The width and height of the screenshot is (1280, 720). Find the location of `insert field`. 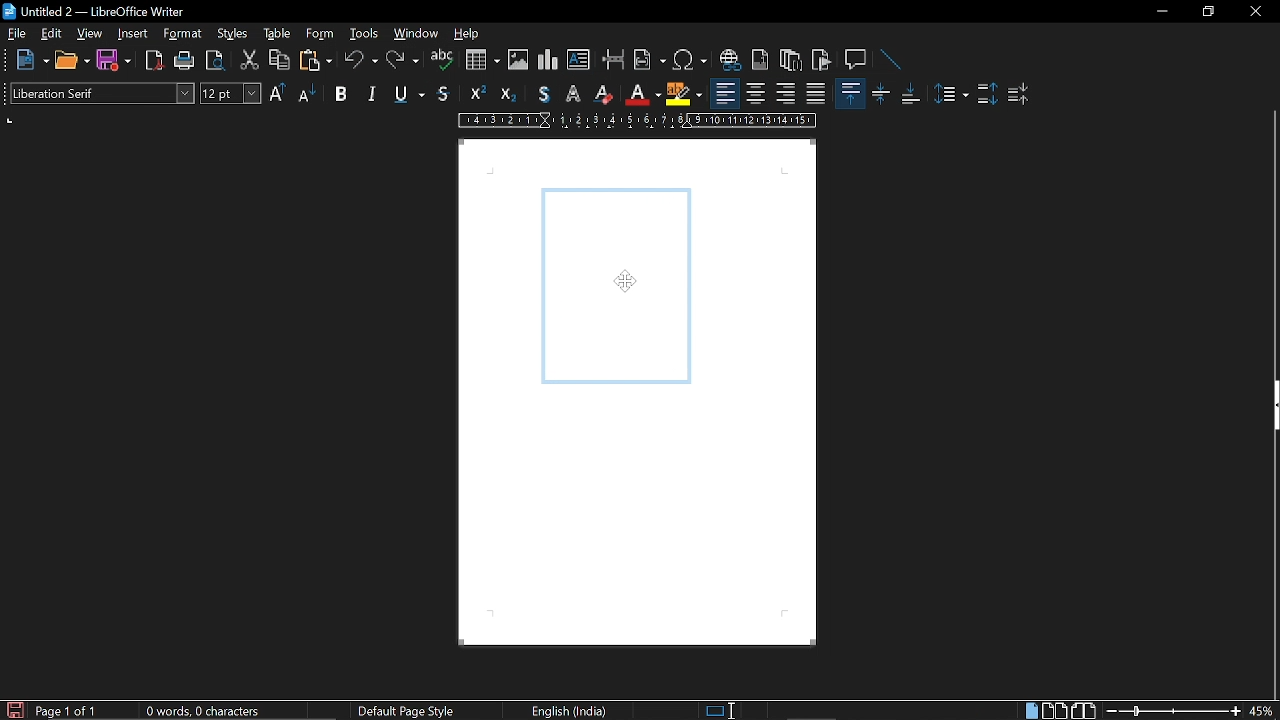

insert field is located at coordinates (649, 62).